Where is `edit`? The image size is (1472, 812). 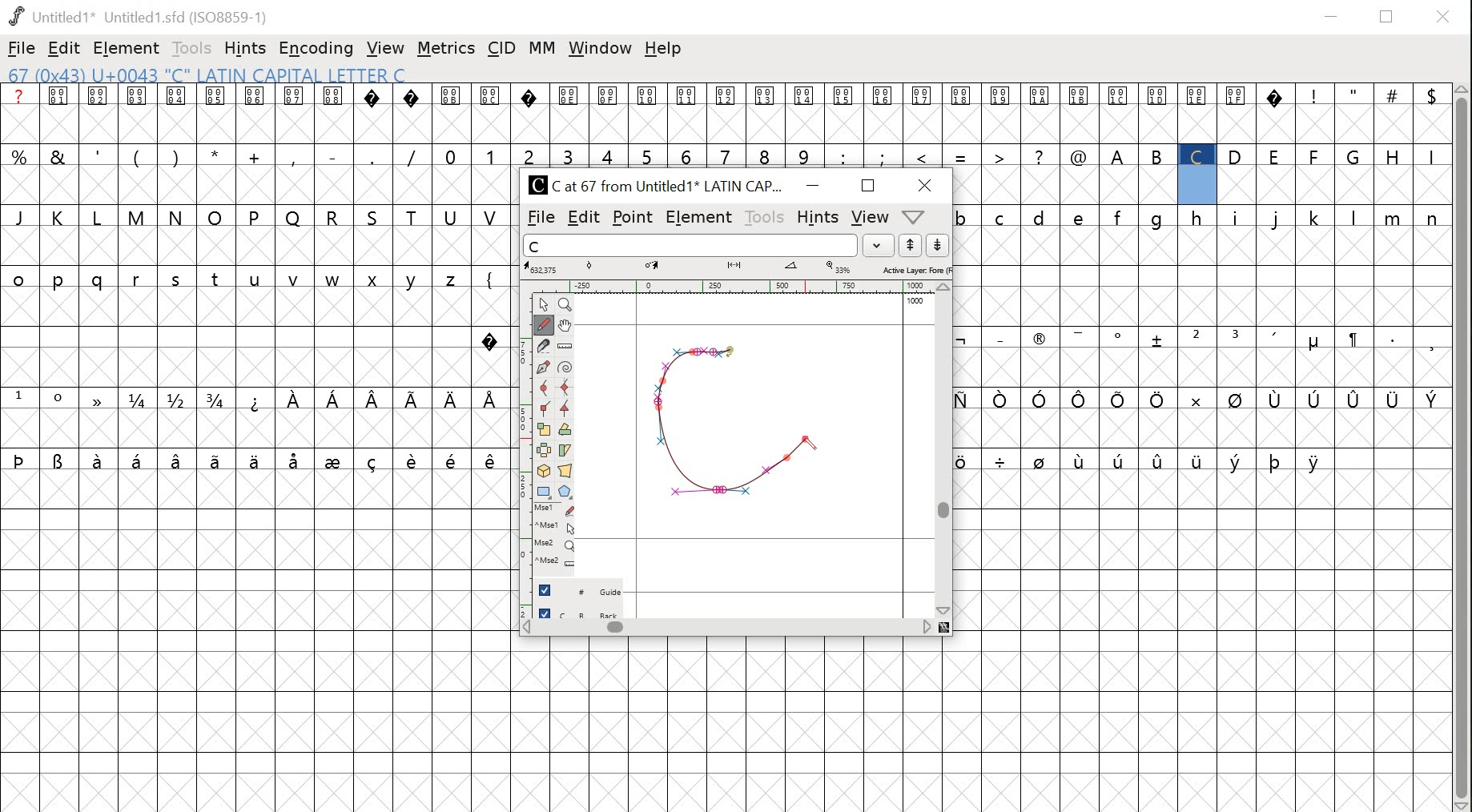
edit is located at coordinates (63, 48).